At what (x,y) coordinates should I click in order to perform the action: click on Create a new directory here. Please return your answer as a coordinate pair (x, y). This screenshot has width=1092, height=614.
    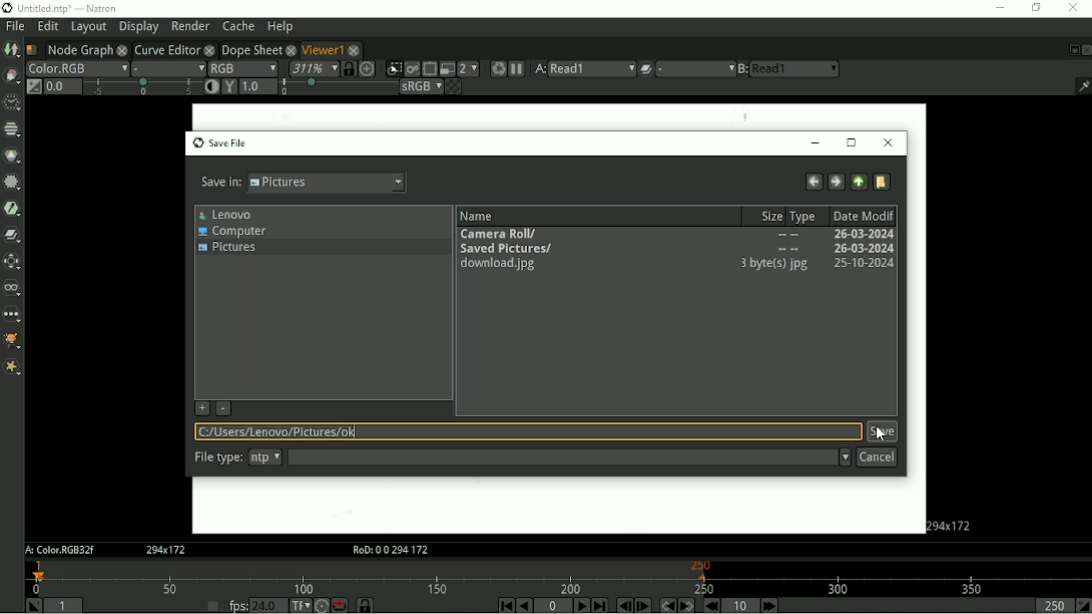
    Looking at the image, I should click on (881, 182).